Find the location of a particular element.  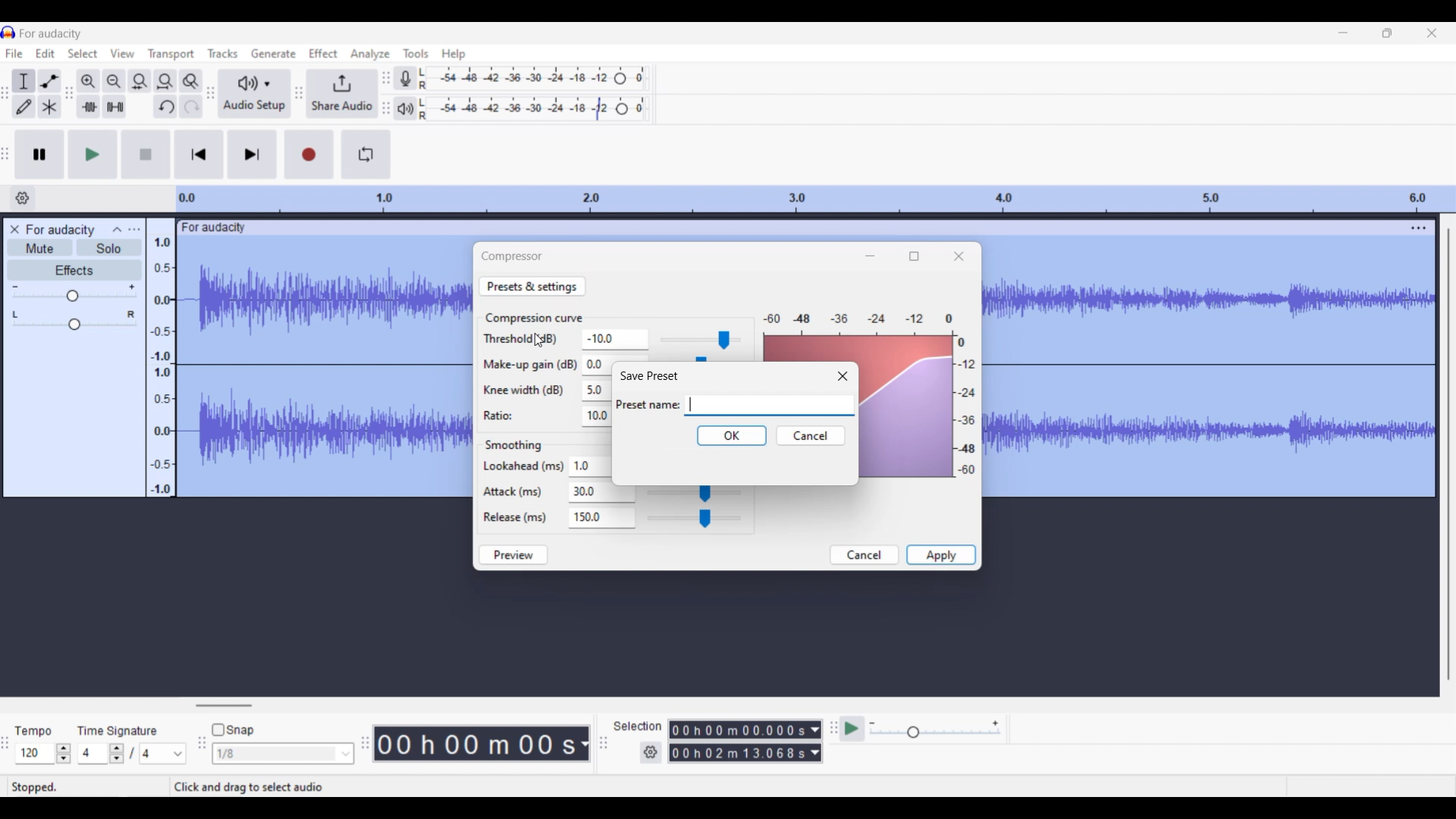

Snap toggle is located at coordinates (233, 730).